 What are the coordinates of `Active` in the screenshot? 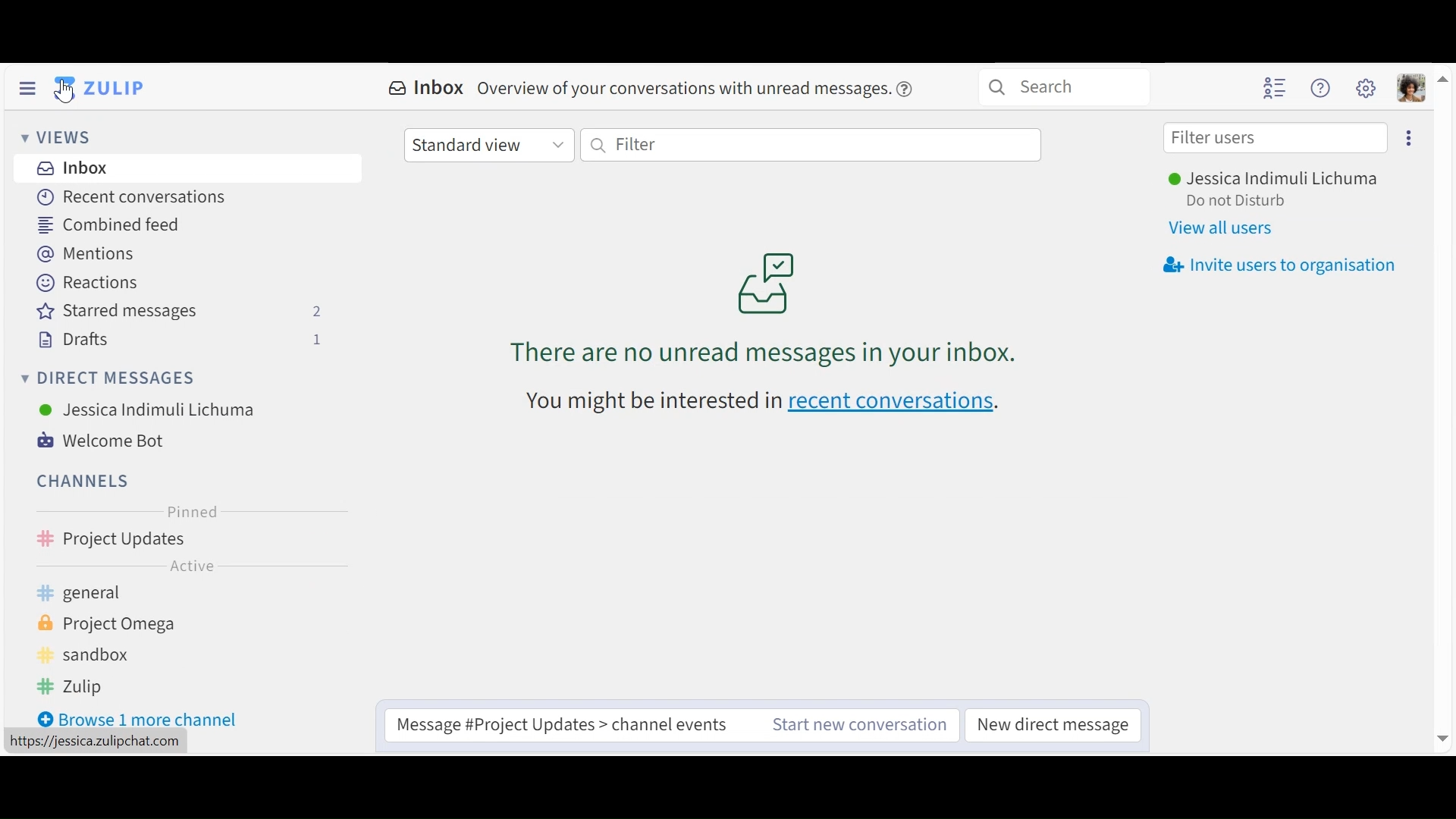 It's located at (203, 566).